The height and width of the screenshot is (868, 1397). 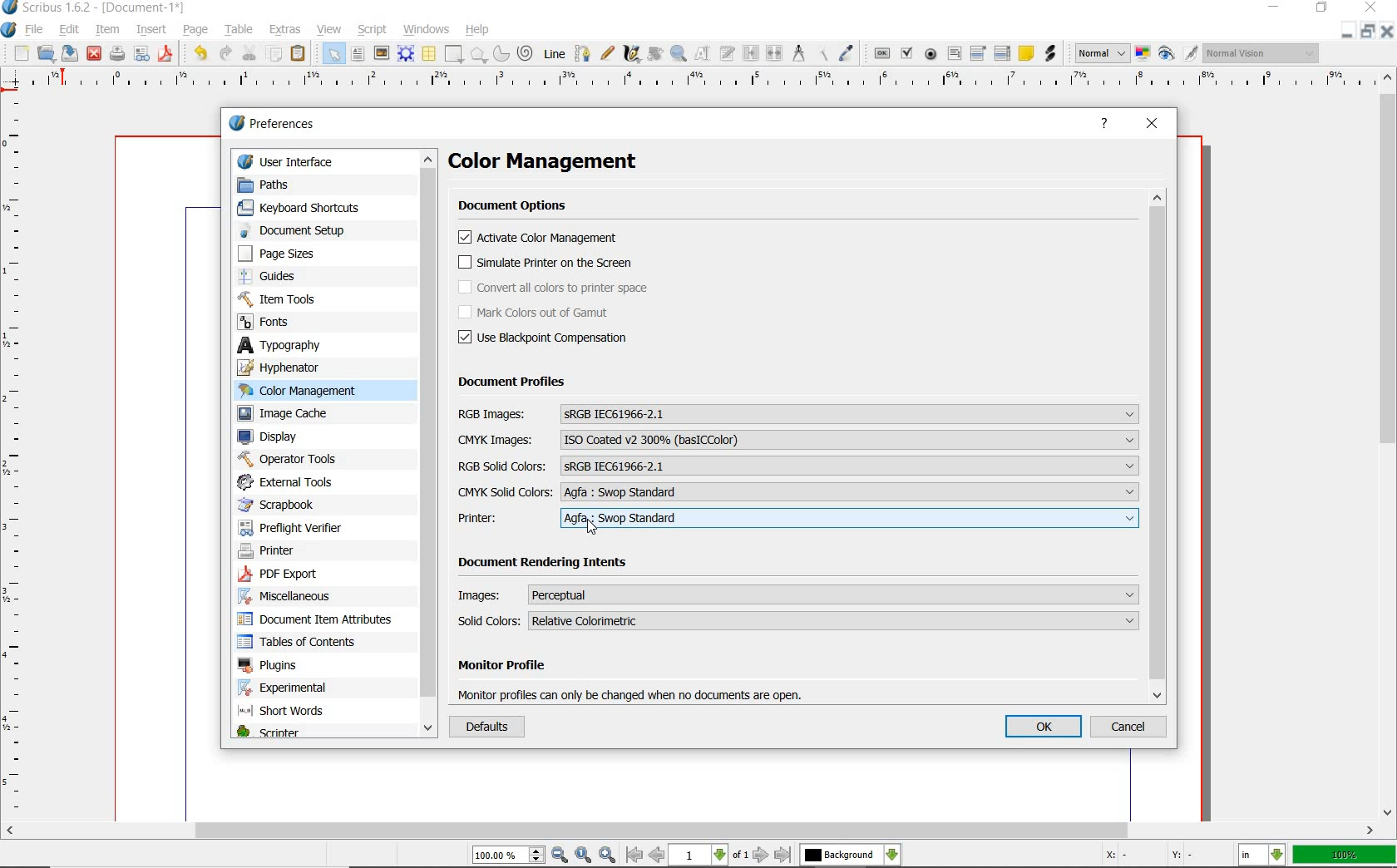 What do you see at coordinates (277, 126) in the screenshot?
I see `preferences` at bounding box center [277, 126].